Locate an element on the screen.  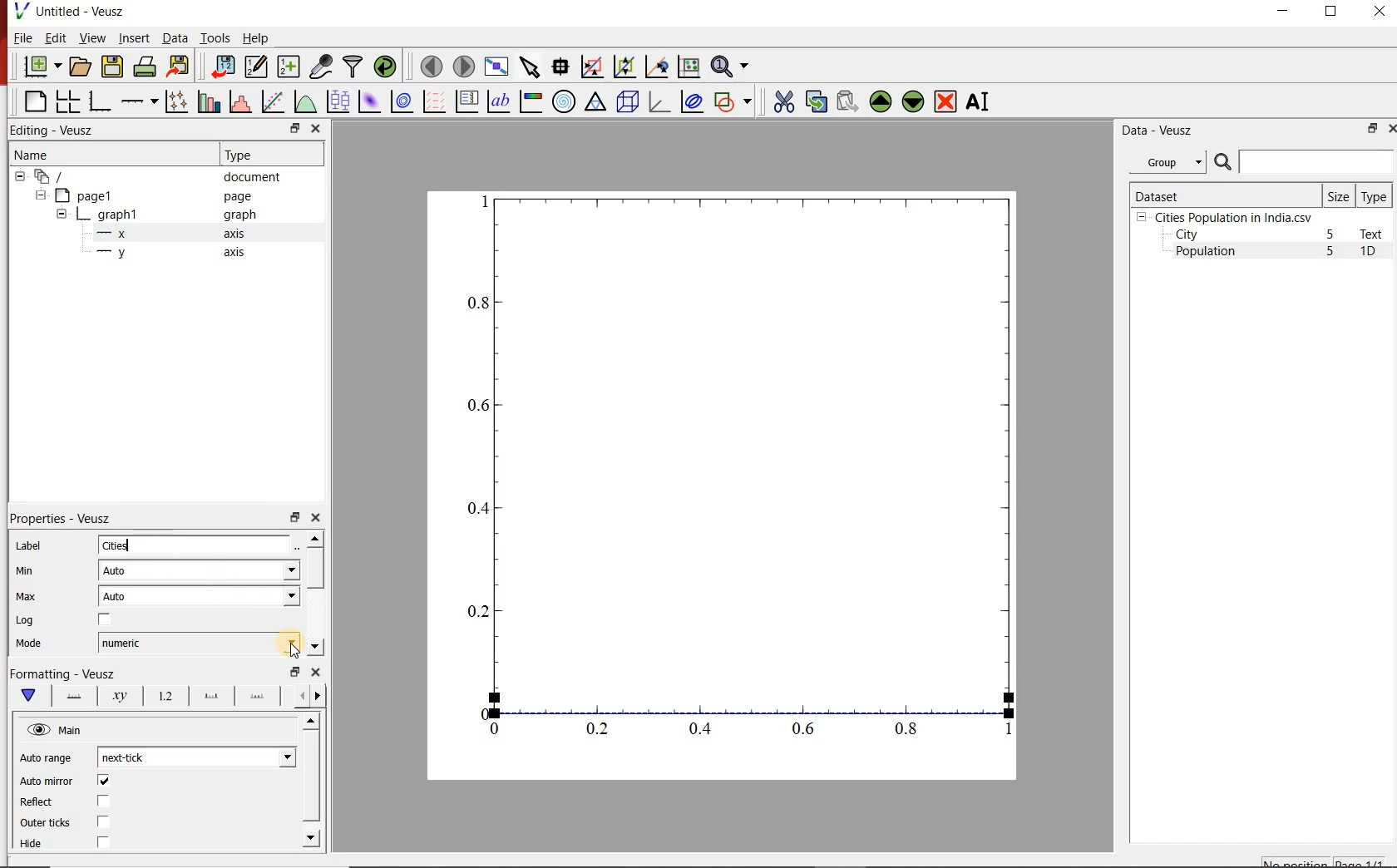
graph1 is located at coordinates (743, 481).